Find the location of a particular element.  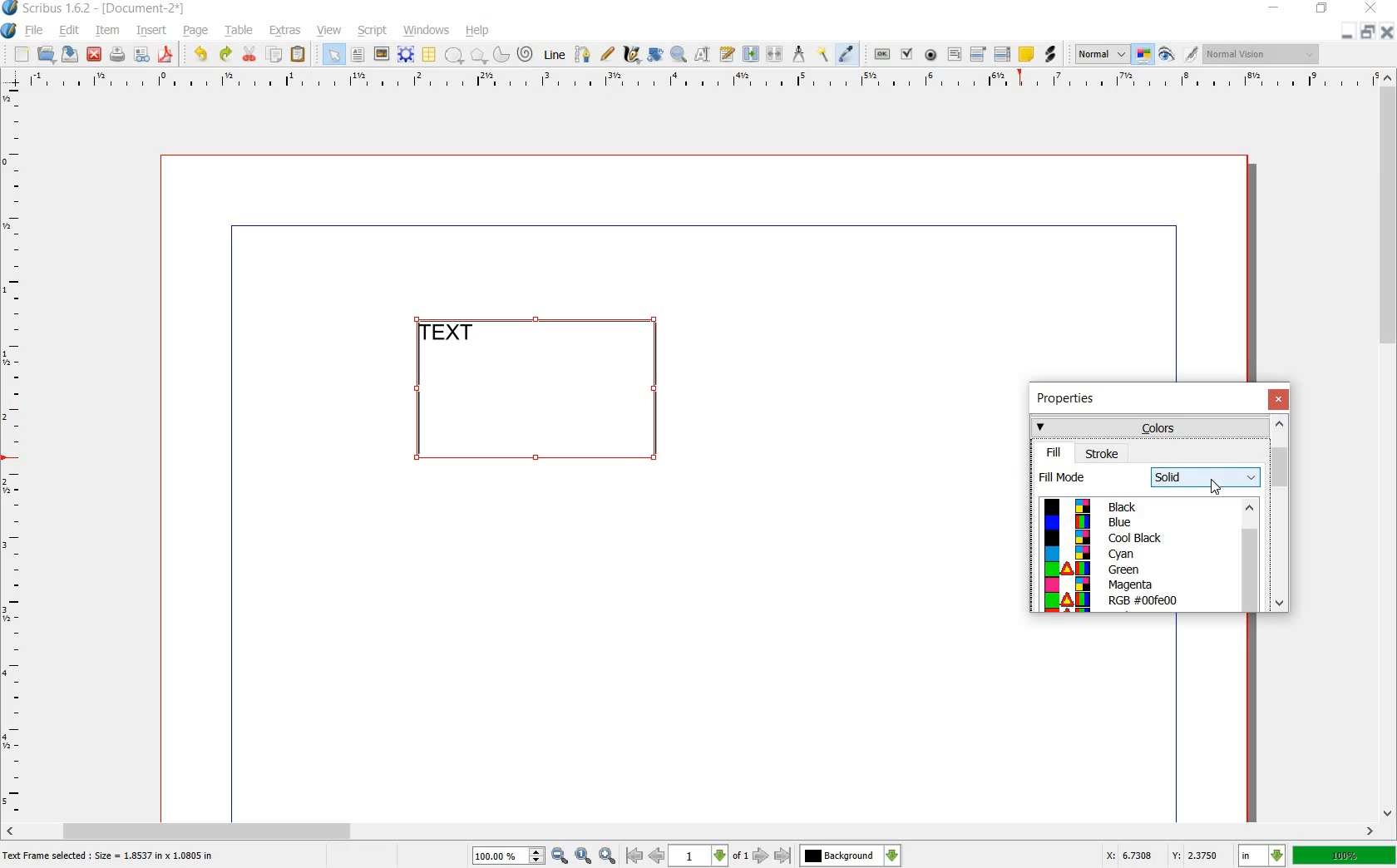

minimize is located at coordinates (1275, 8).